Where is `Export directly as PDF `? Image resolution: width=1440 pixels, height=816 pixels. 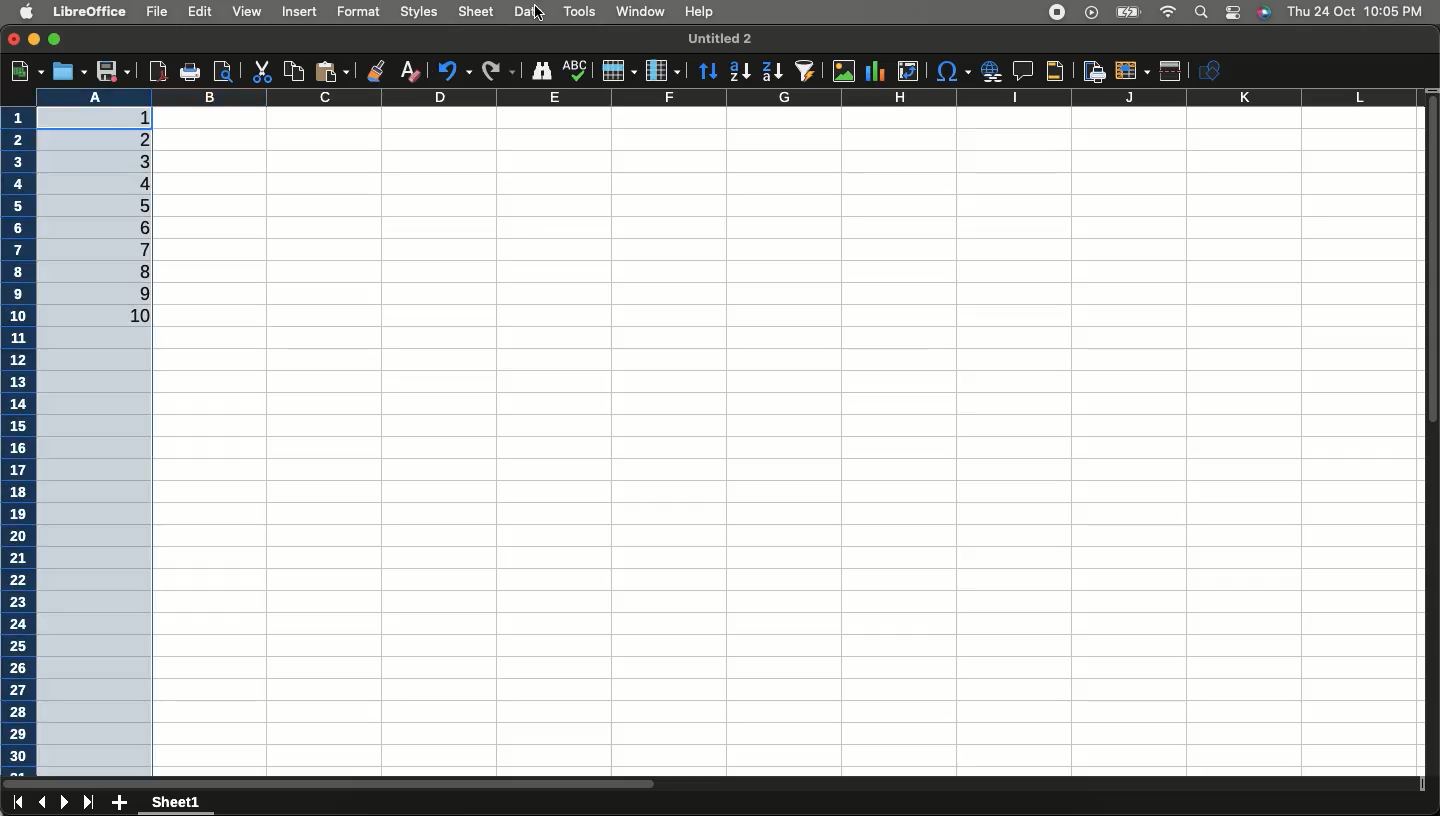
Export directly as PDF  is located at coordinates (155, 70).